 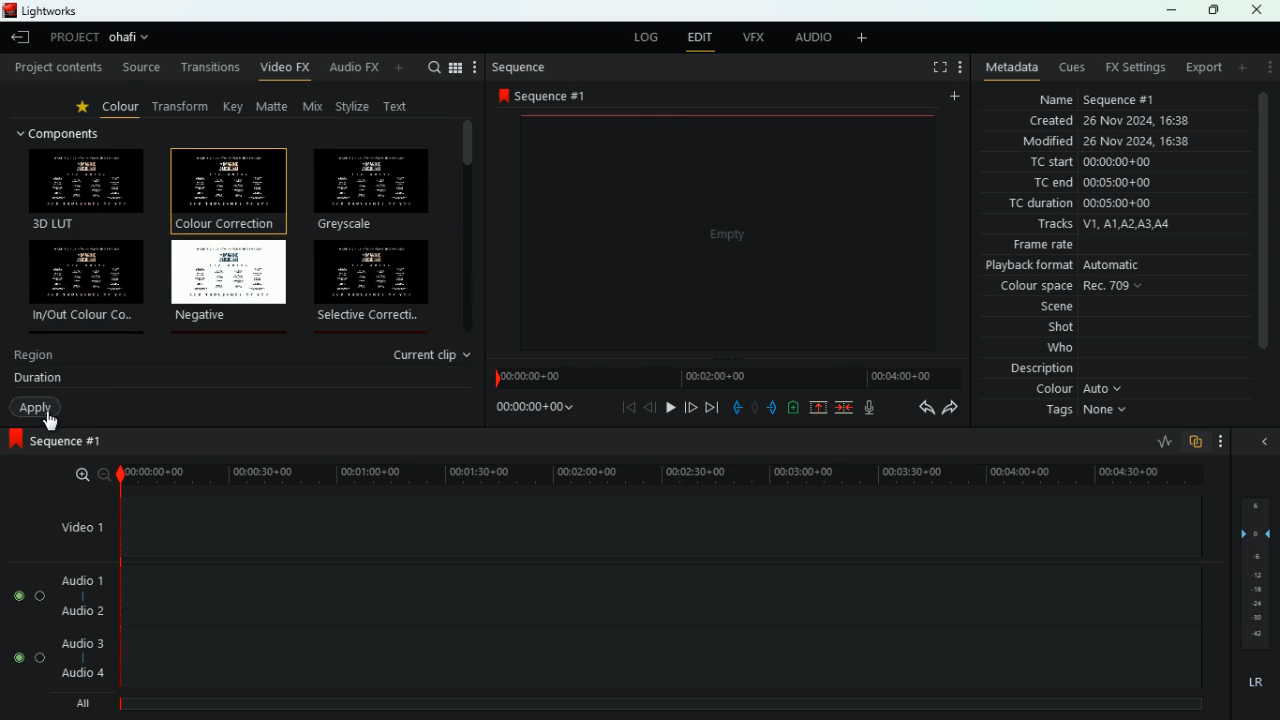 What do you see at coordinates (1262, 10) in the screenshot?
I see `close` at bounding box center [1262, 10].